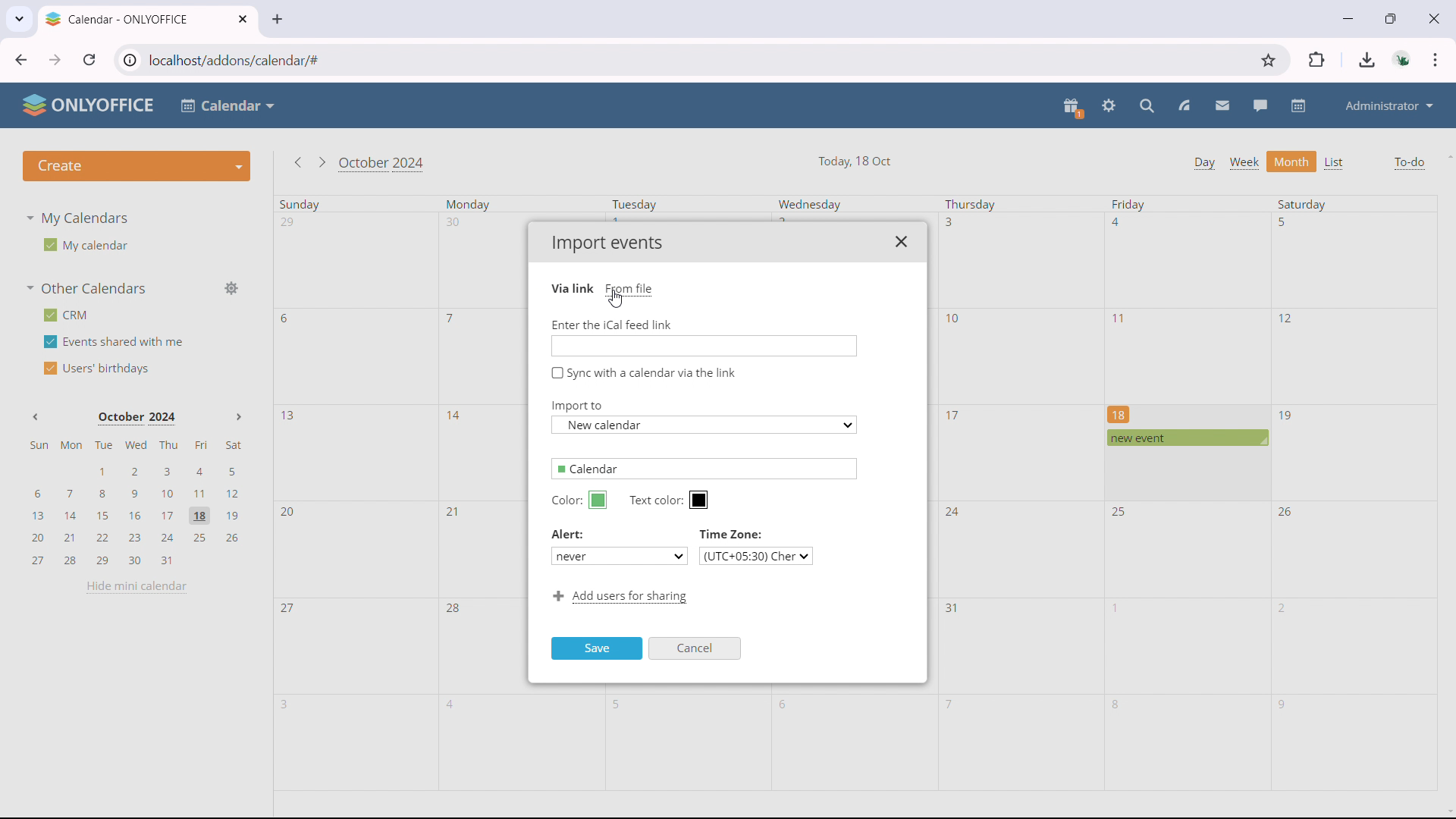 This screenshot has height=819, width=1456. Describe the element at coordinates (1391, 17) in the screenshot. I see `maximize` at that location.